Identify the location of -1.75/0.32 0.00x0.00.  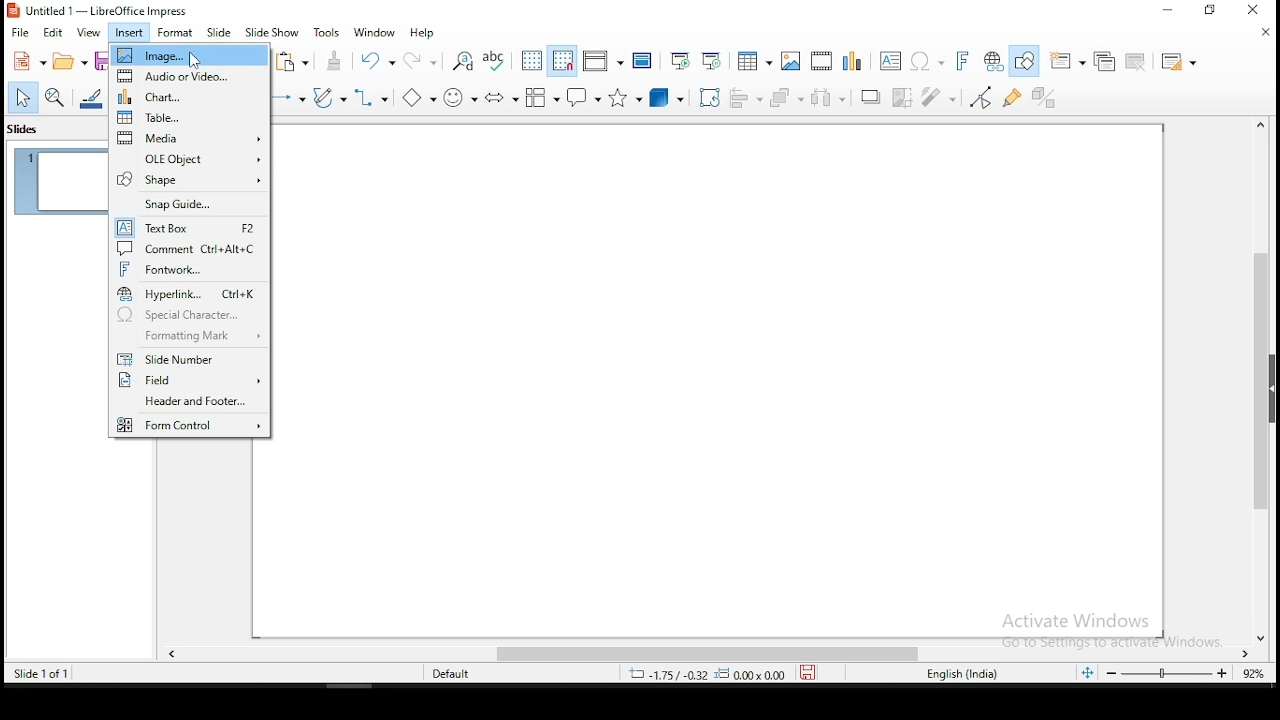
(705, 674).